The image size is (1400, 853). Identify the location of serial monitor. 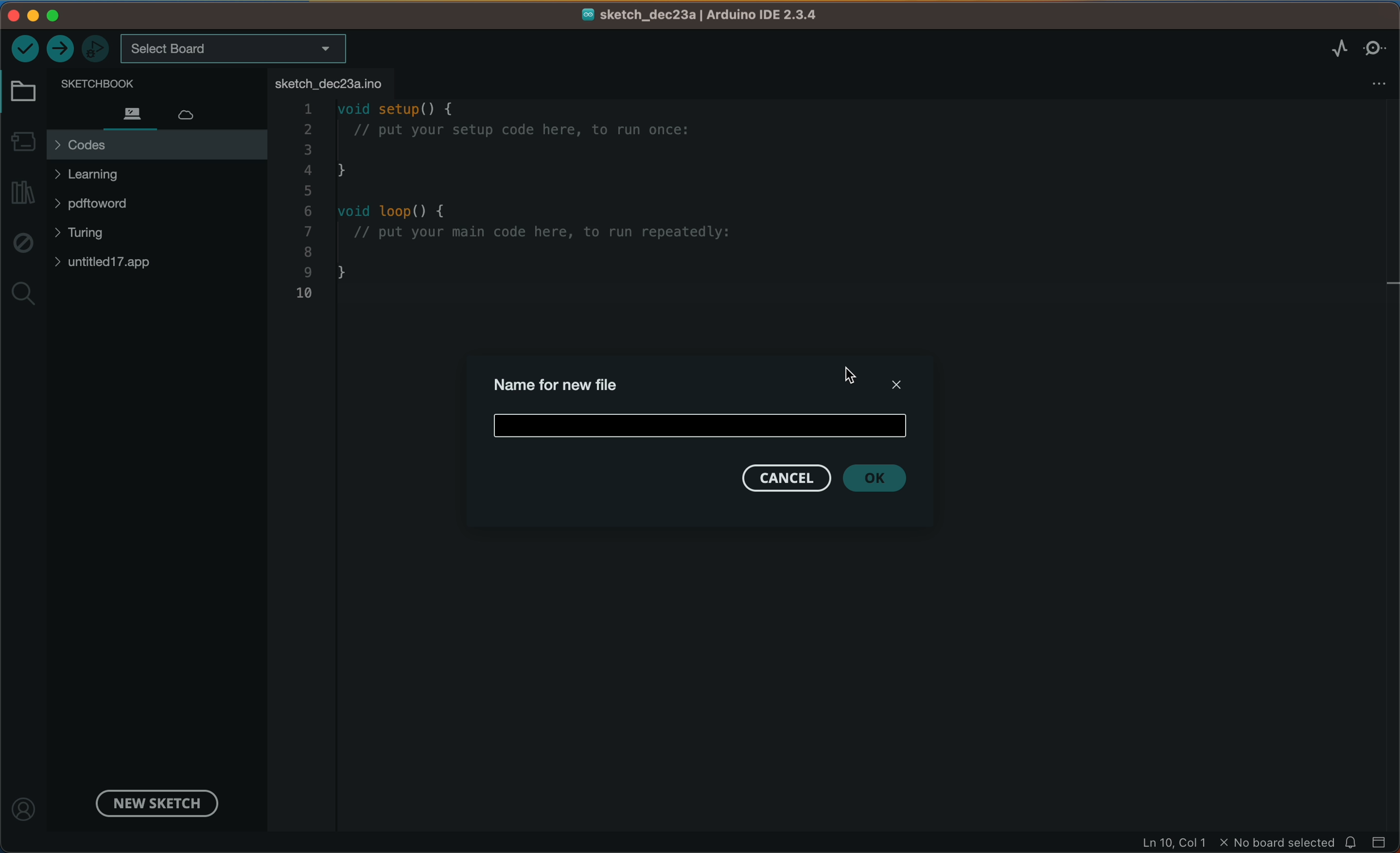
(1376, 47).